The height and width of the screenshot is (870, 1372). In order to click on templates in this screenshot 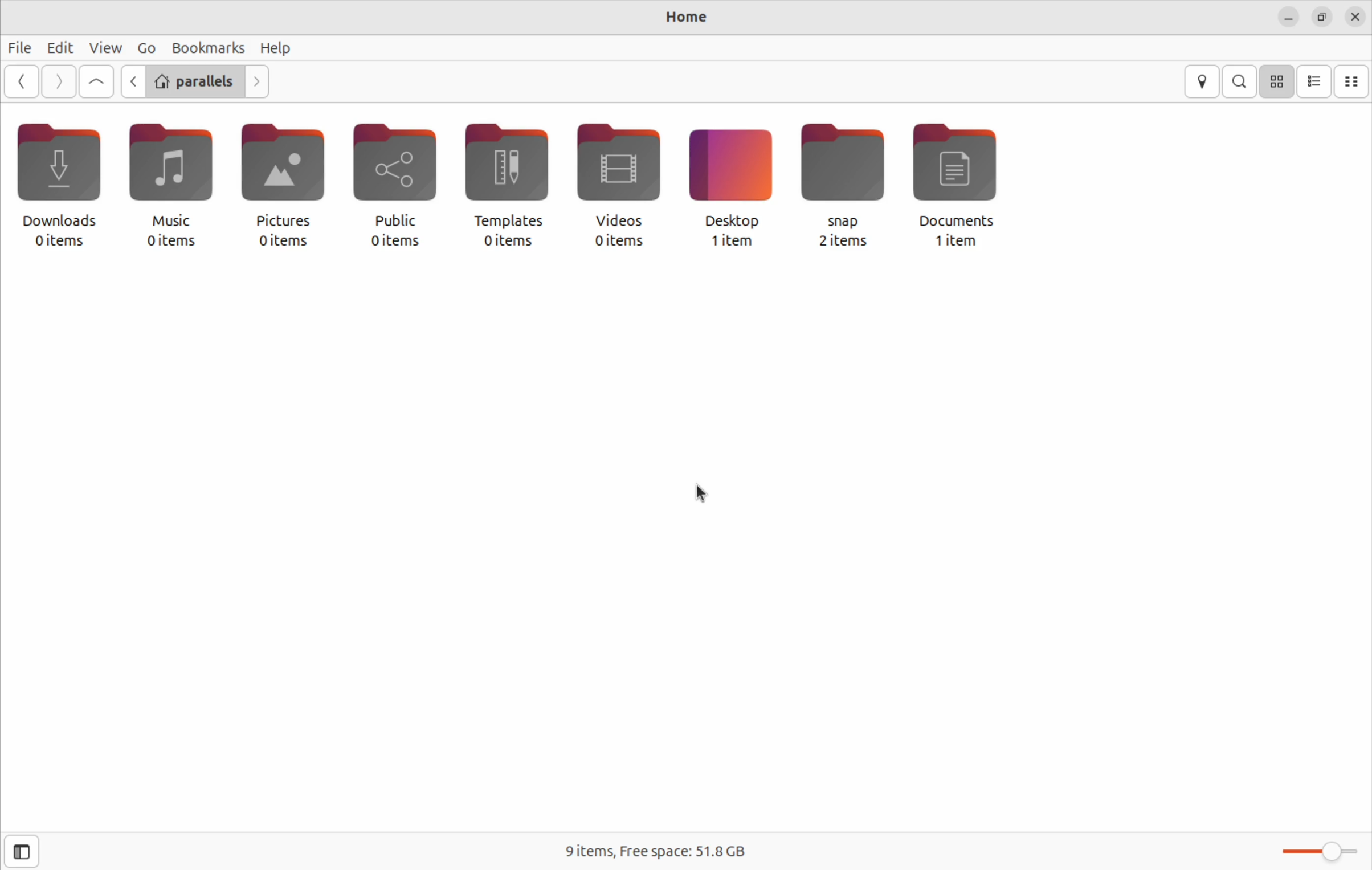, I will do `click(506, 169)`.